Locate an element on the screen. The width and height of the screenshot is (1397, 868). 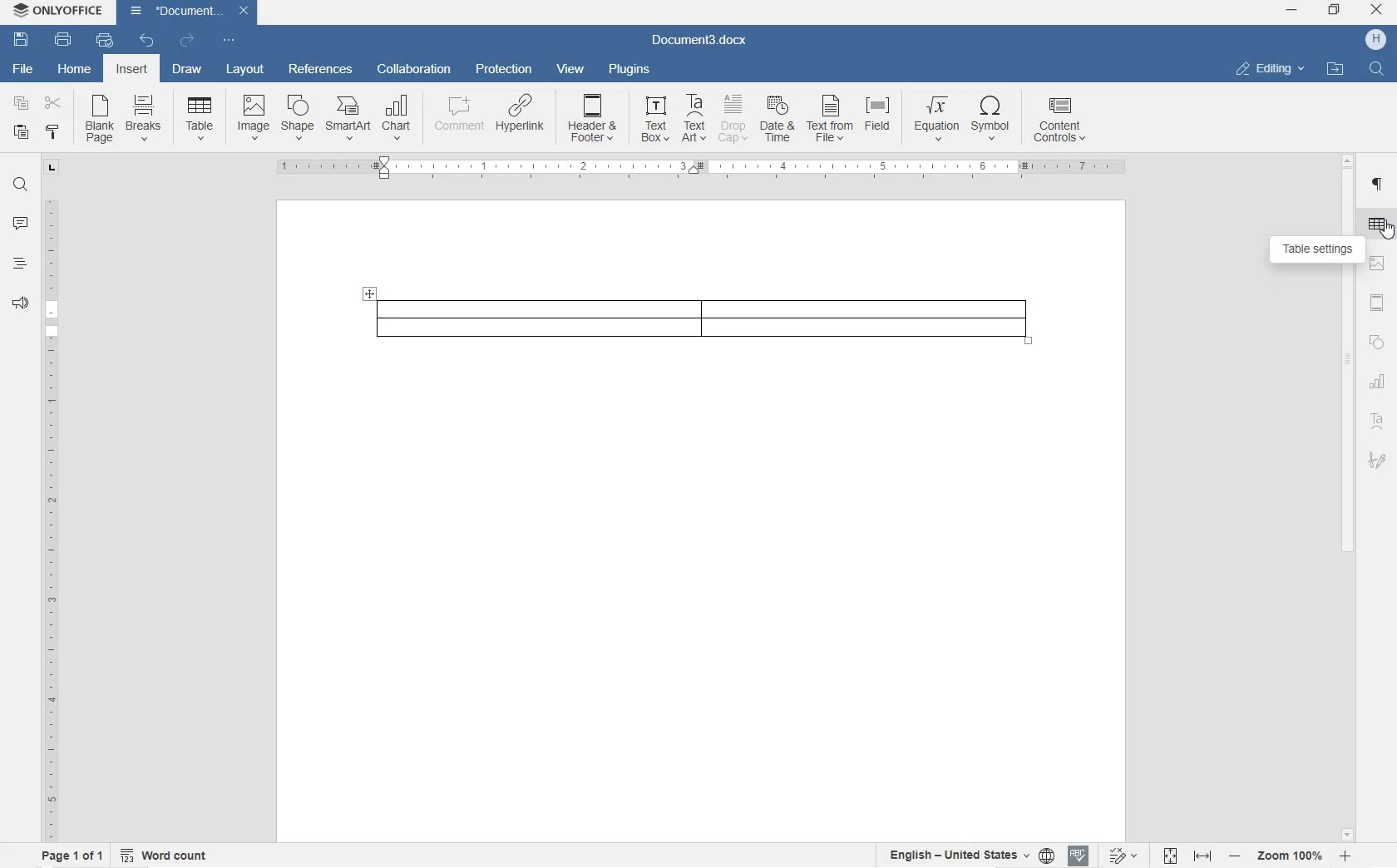
FILE is located at coordinates (19, 69).